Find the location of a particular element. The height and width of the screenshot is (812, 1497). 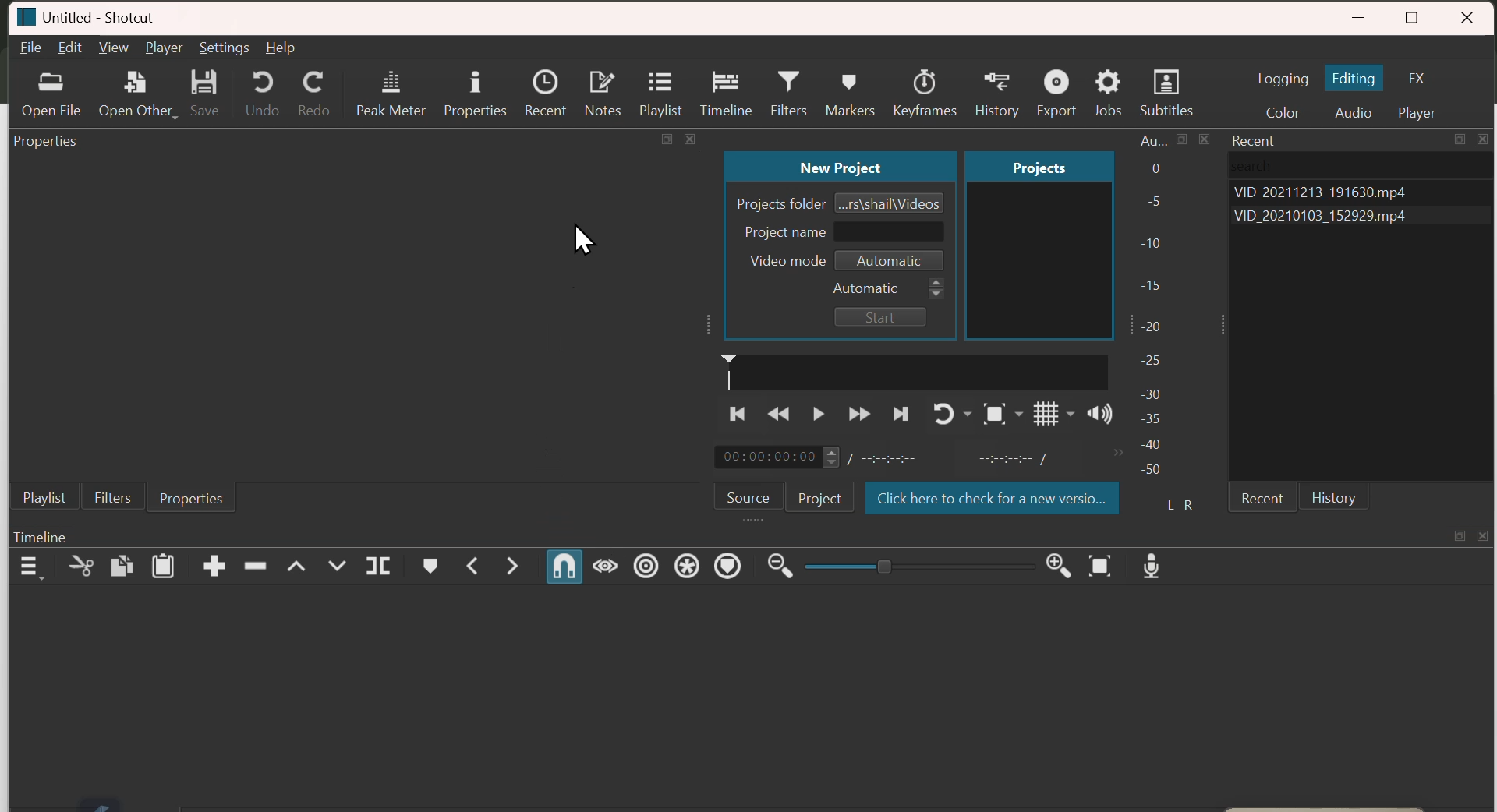

Recent is located at coordinates (545, 87).